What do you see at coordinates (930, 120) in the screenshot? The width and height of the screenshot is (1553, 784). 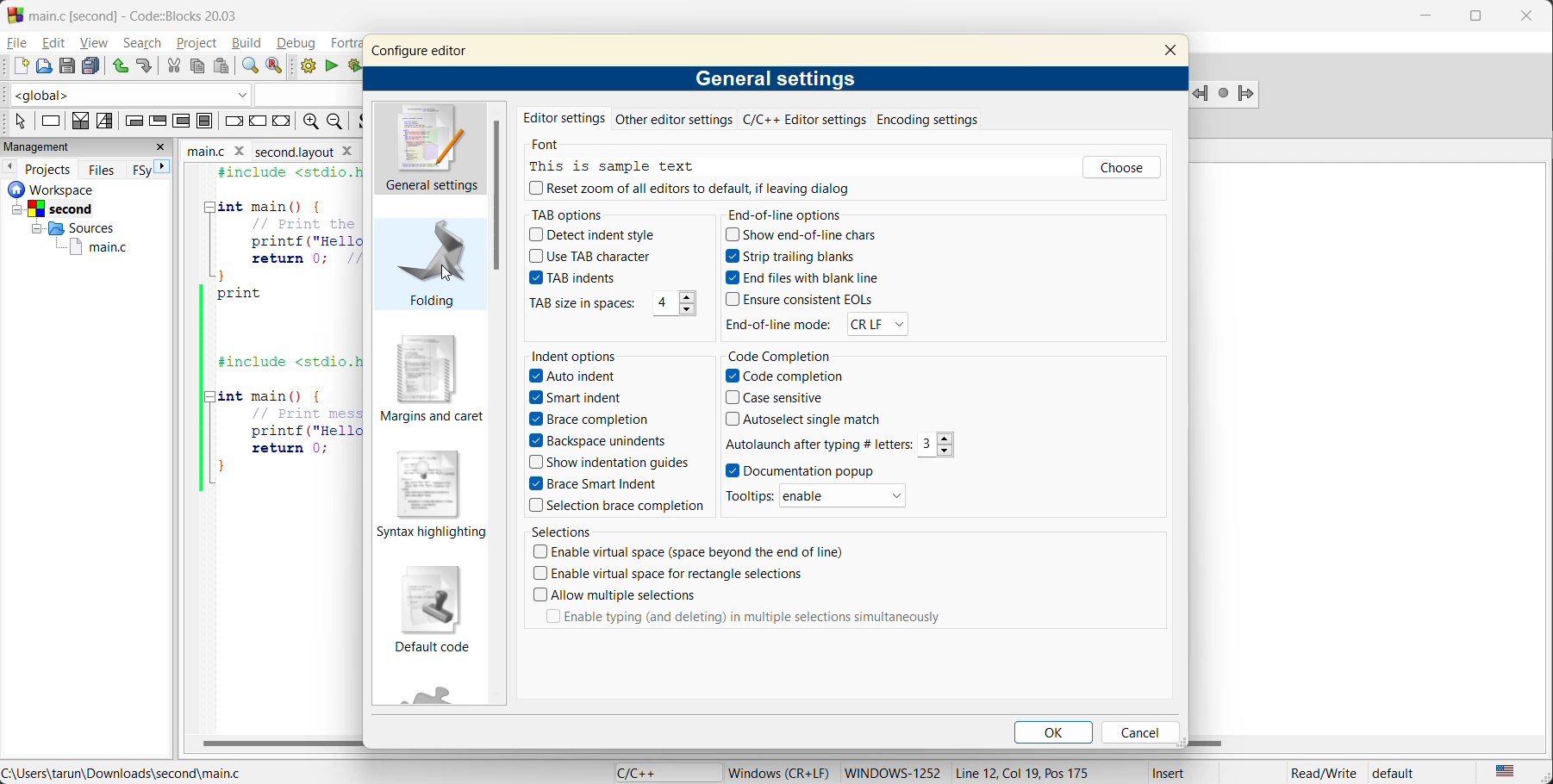 I see `encoding settings` at bounding box center [930, 120].